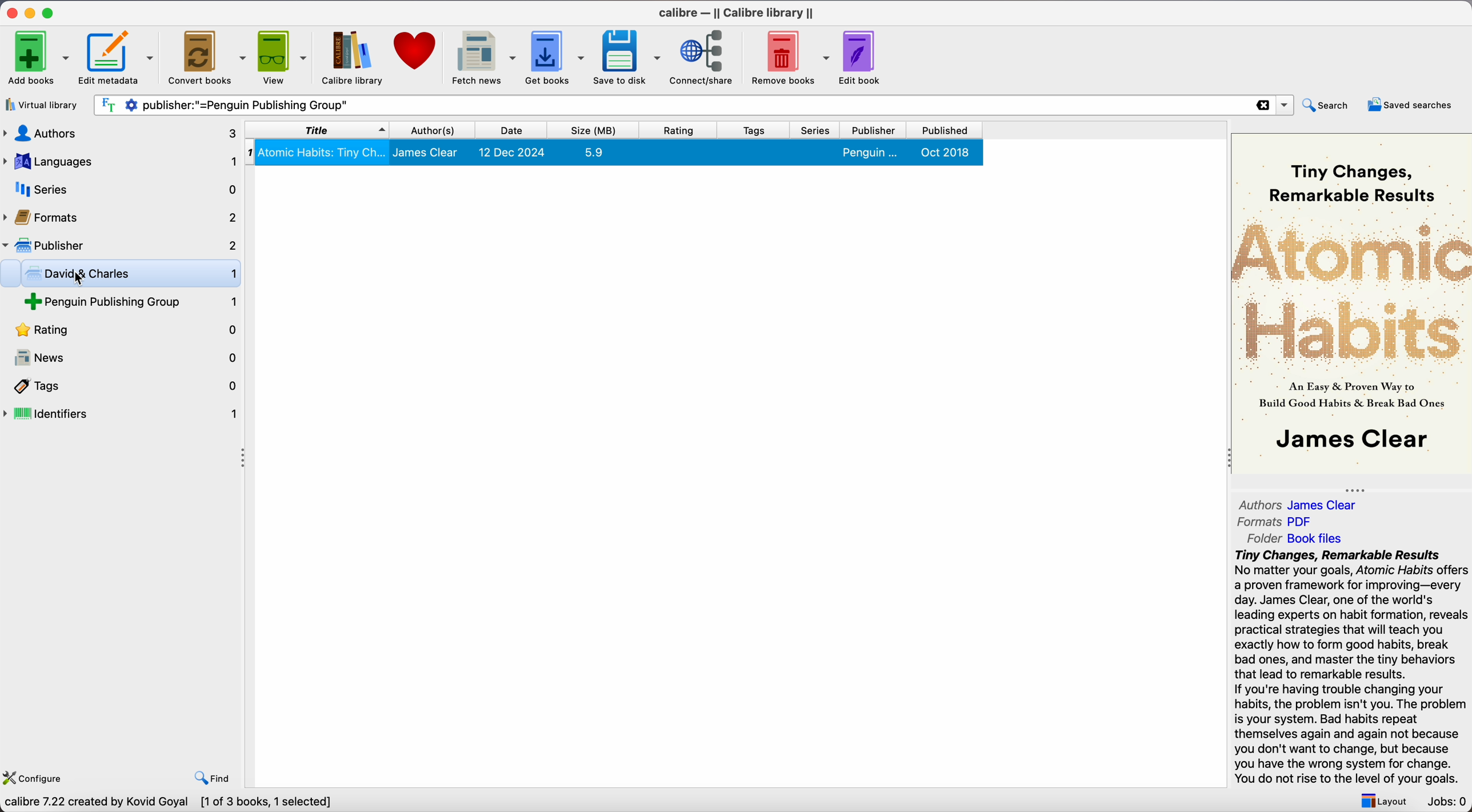  What do you see at coordinates (819, 130) in the screenshot?
I see `series` at bounding box center [819, 130].